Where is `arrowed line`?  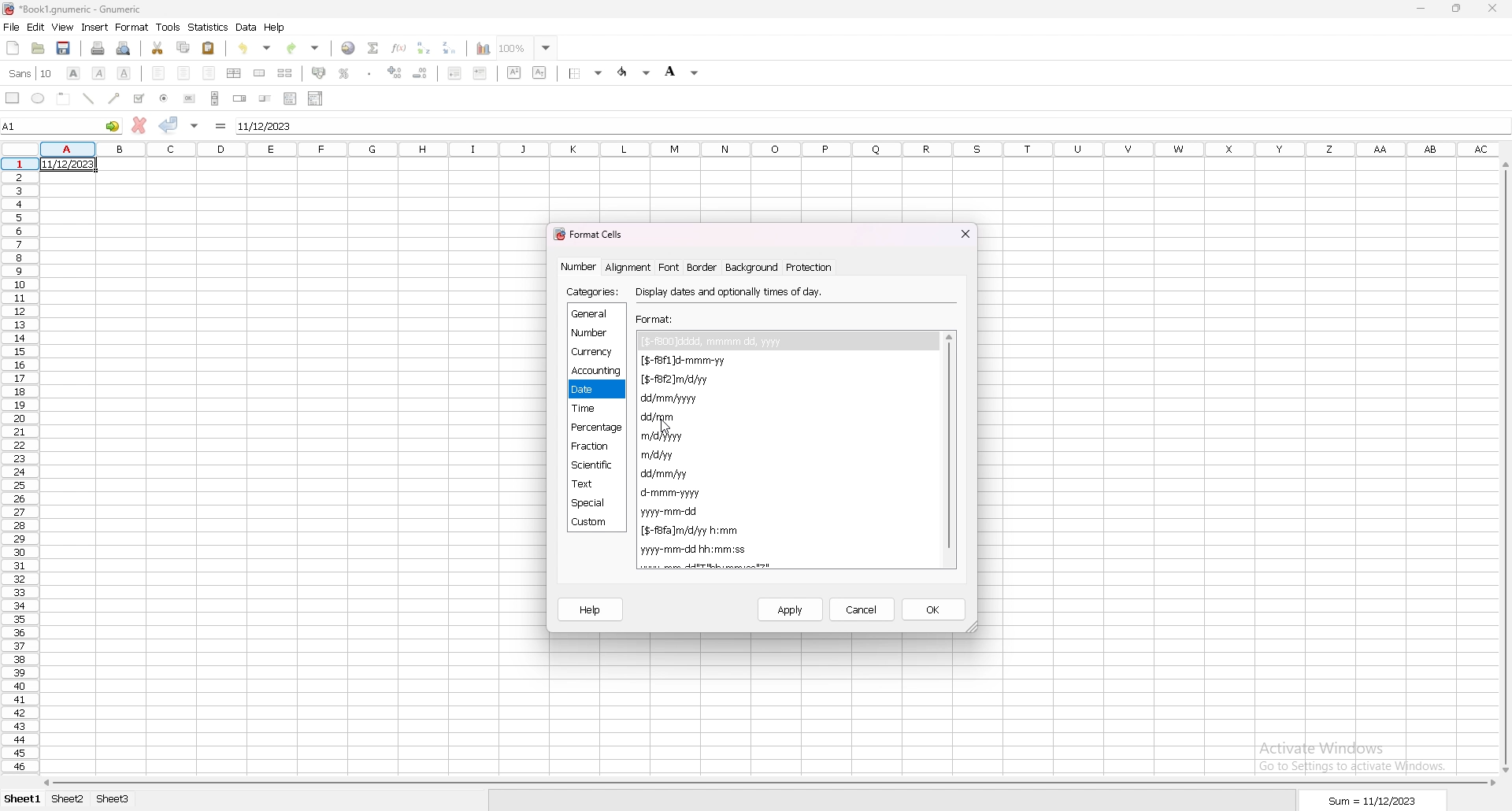
arrowed line is located at coordinates (116, 98).